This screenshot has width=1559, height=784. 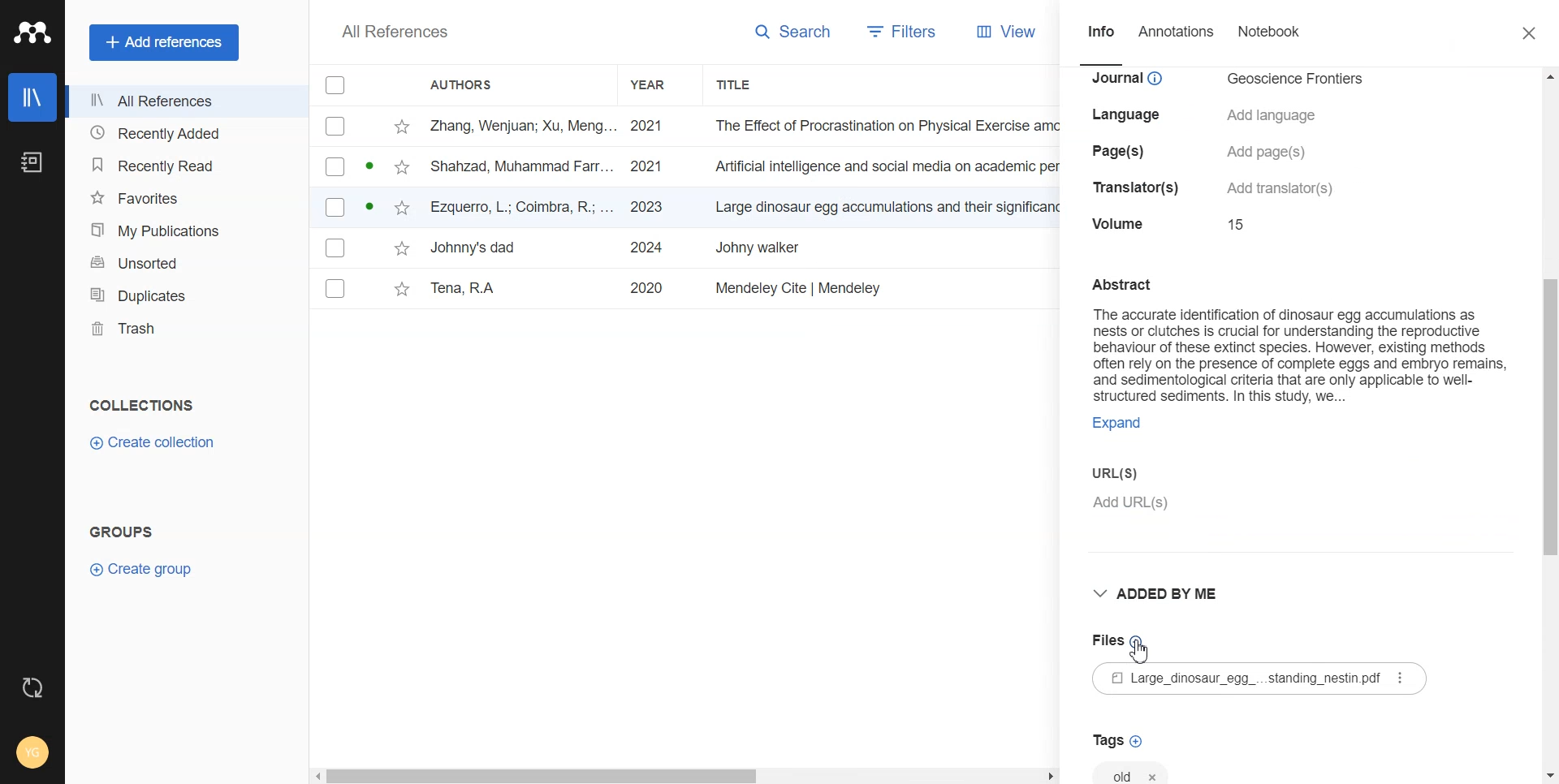 I want to click on File, so click(x=749, y=289).